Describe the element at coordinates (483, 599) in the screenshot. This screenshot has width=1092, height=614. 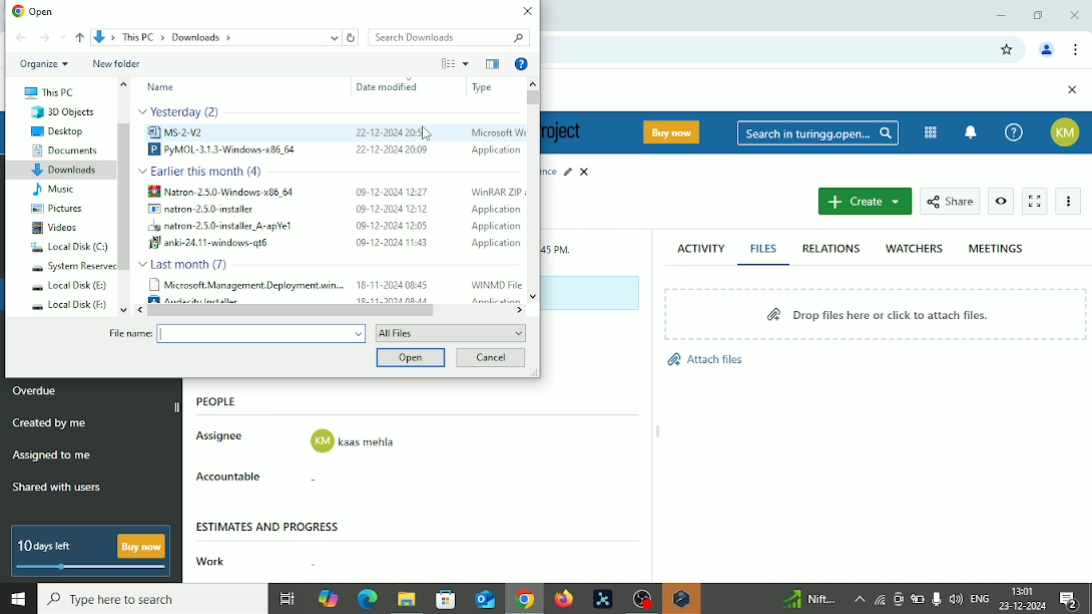
I see `Outlook` at that location.